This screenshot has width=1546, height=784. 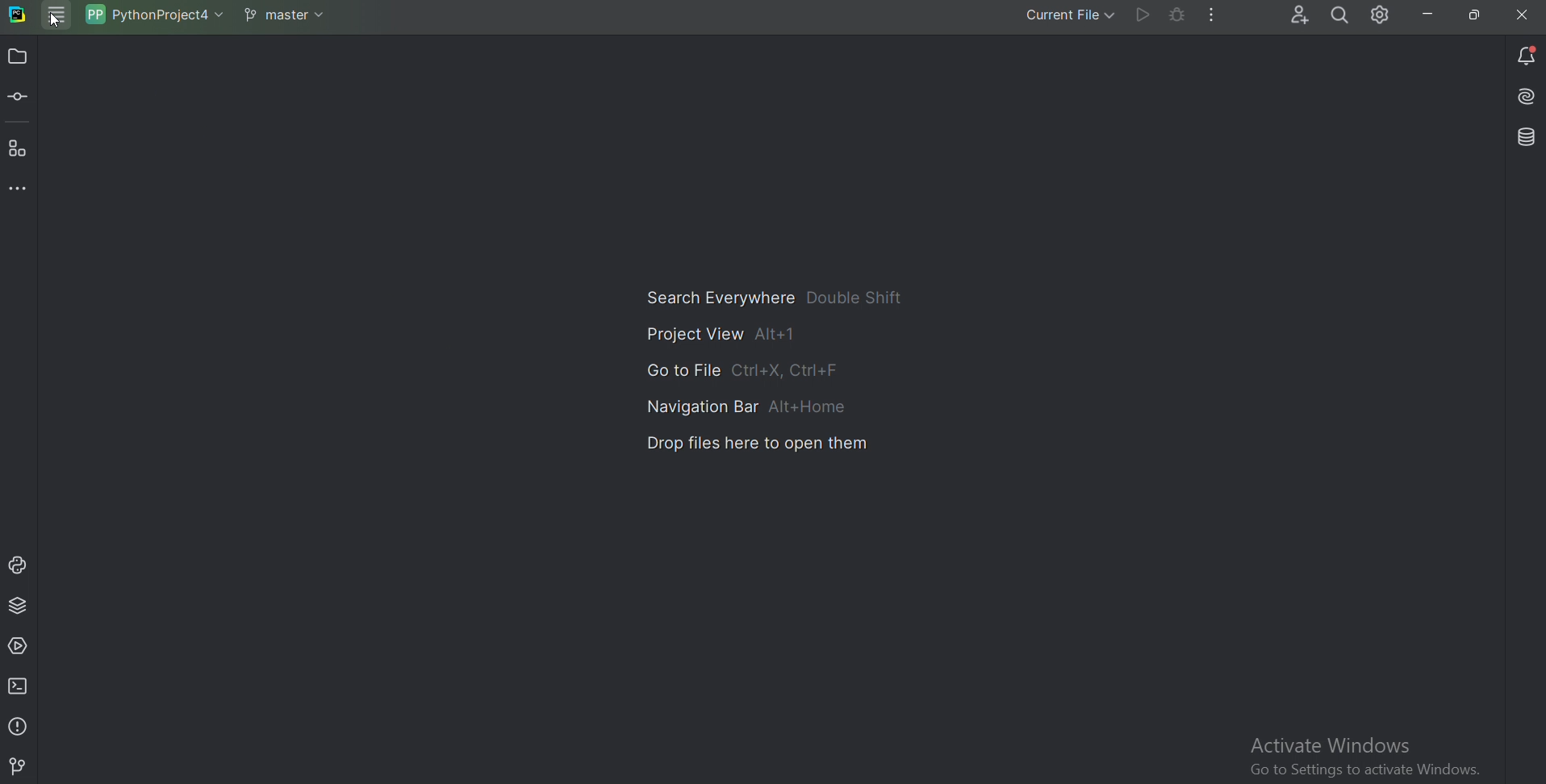 I want to click on Project name, so click(x=156, y=17).